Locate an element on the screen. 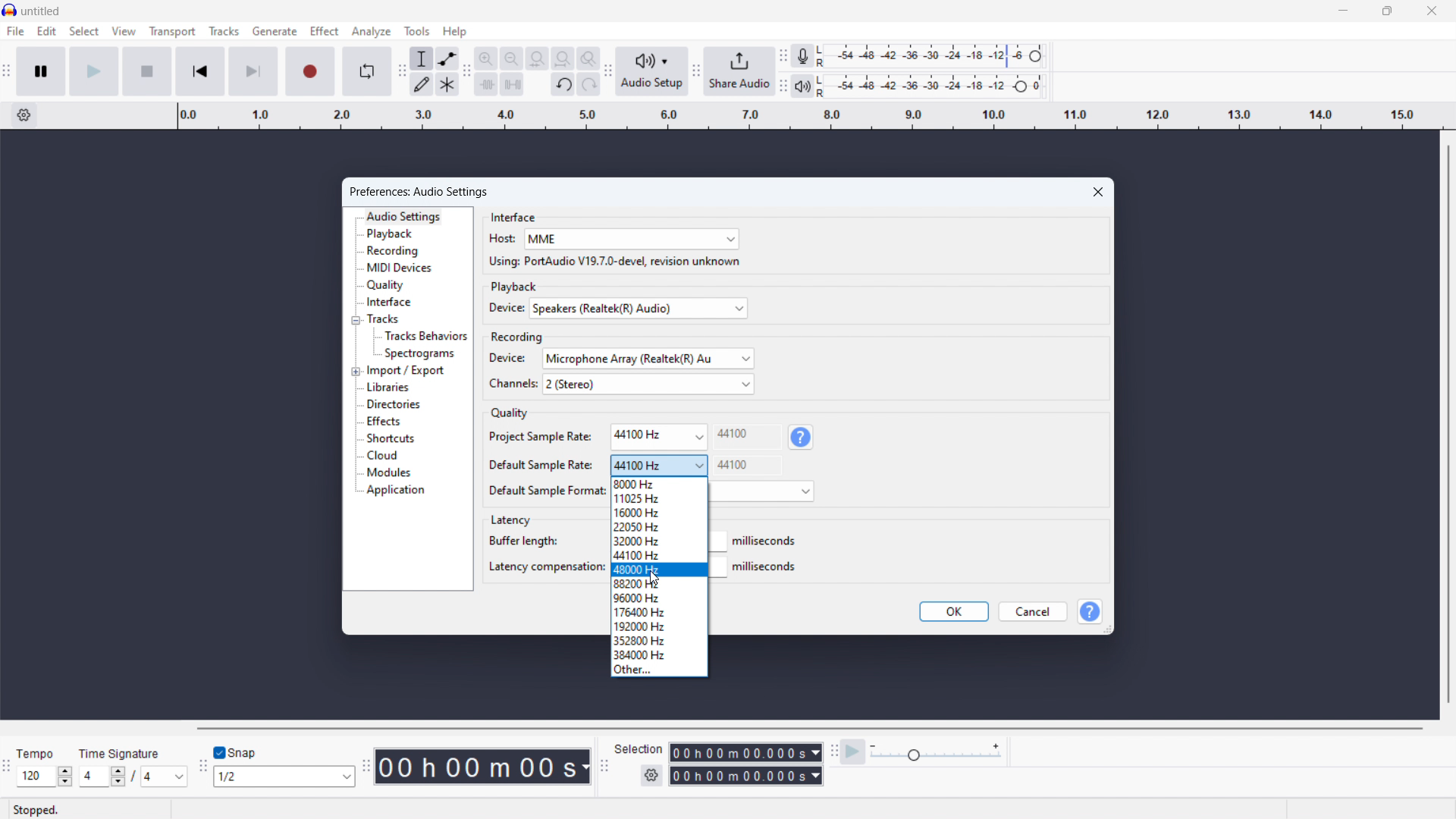  Using: port audio V19 .7 .0 devel, revision unknown  is located at coordinates (613, 262).